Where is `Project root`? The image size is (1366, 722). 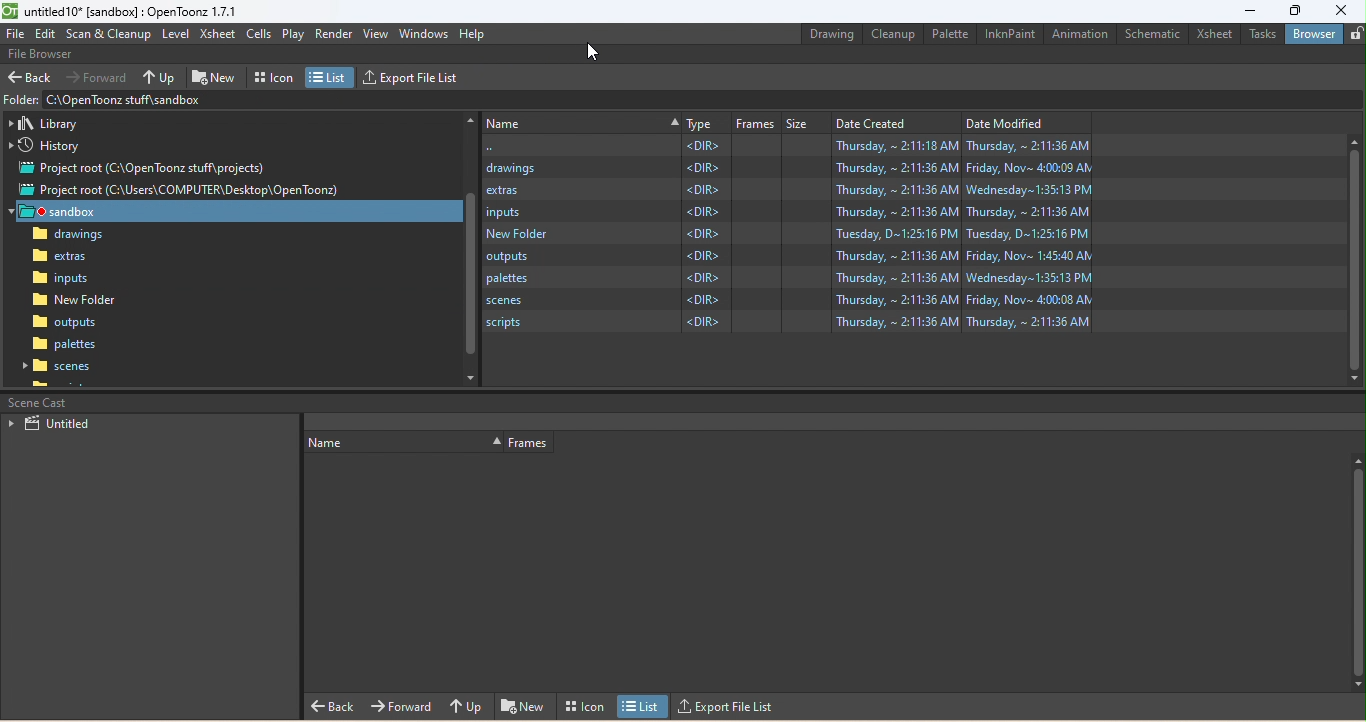
Project root is located at coordinates (179, 189).